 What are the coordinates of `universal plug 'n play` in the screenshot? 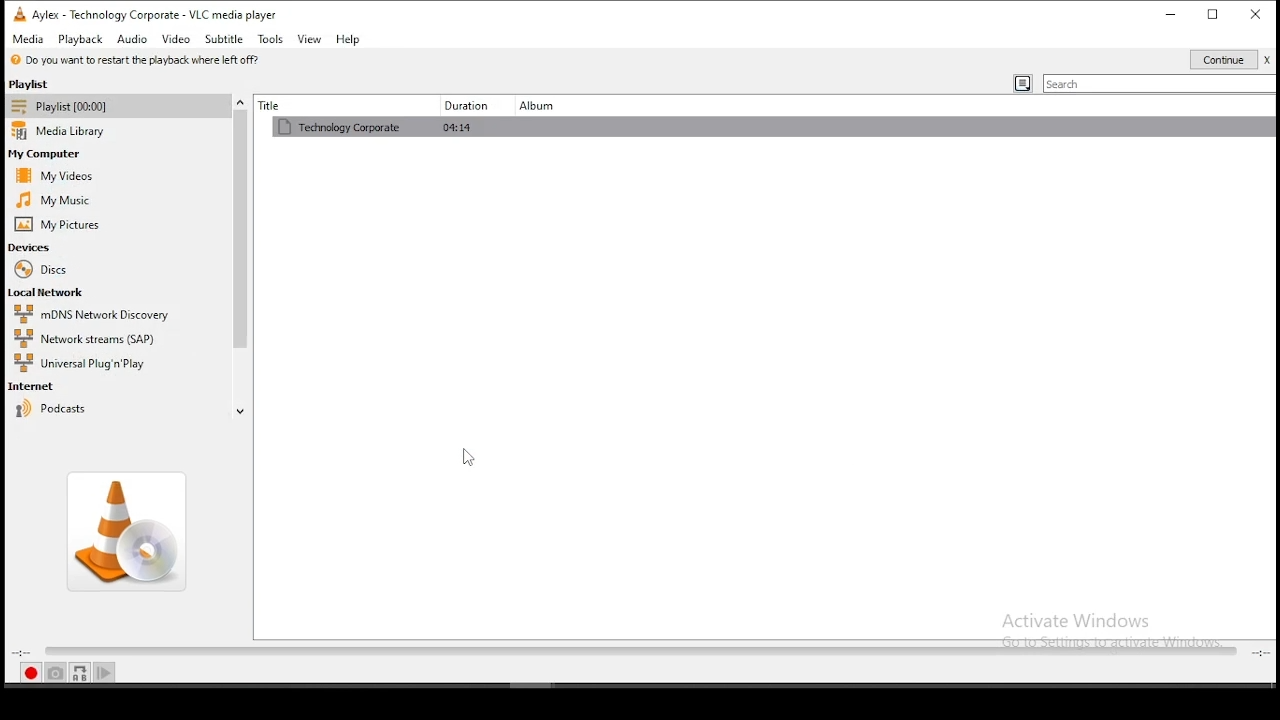 It's located at (83, 361).